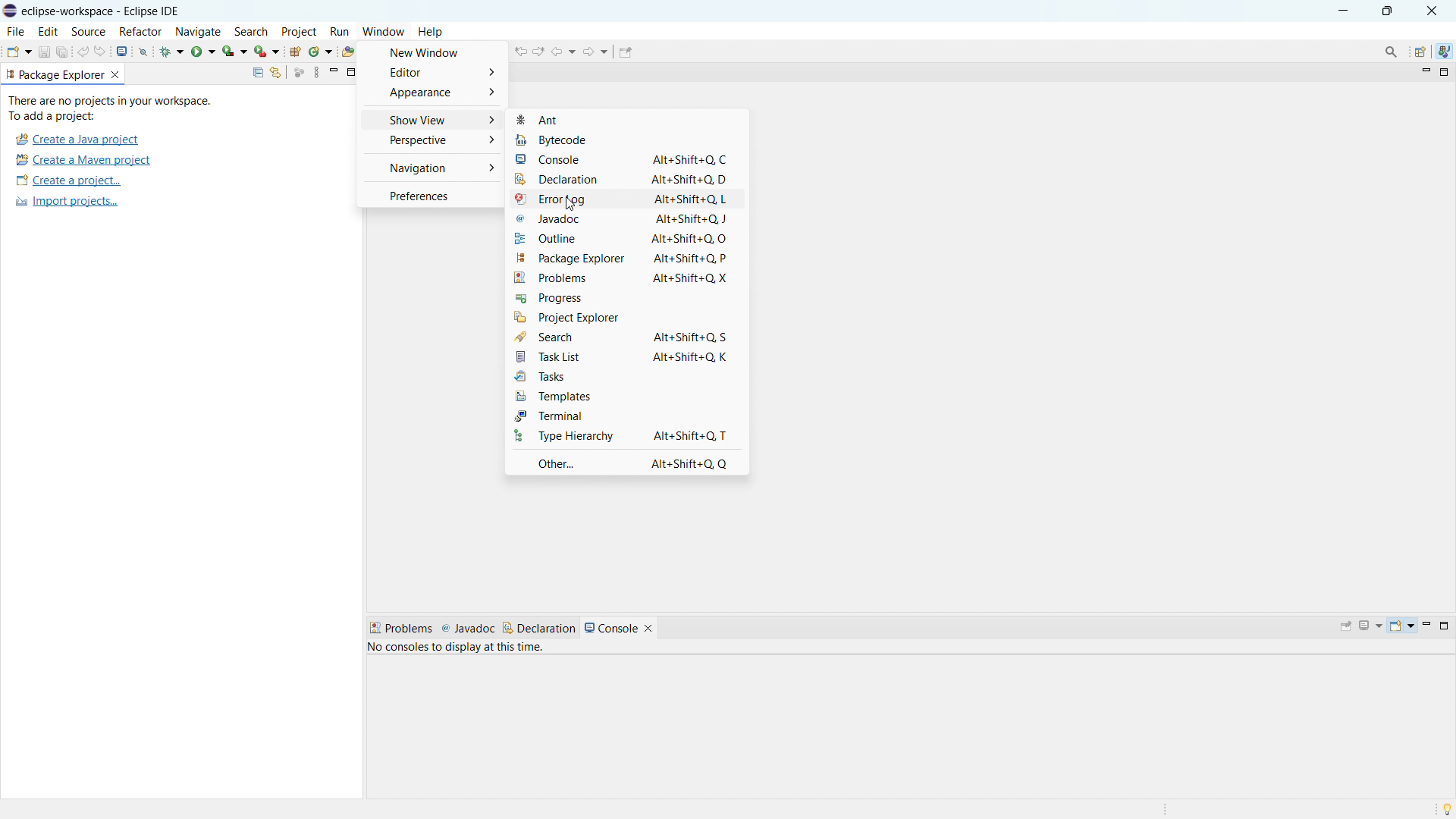 This screenshot has height=819, width=1456. I want to click on maximise, so click(1388, 11).